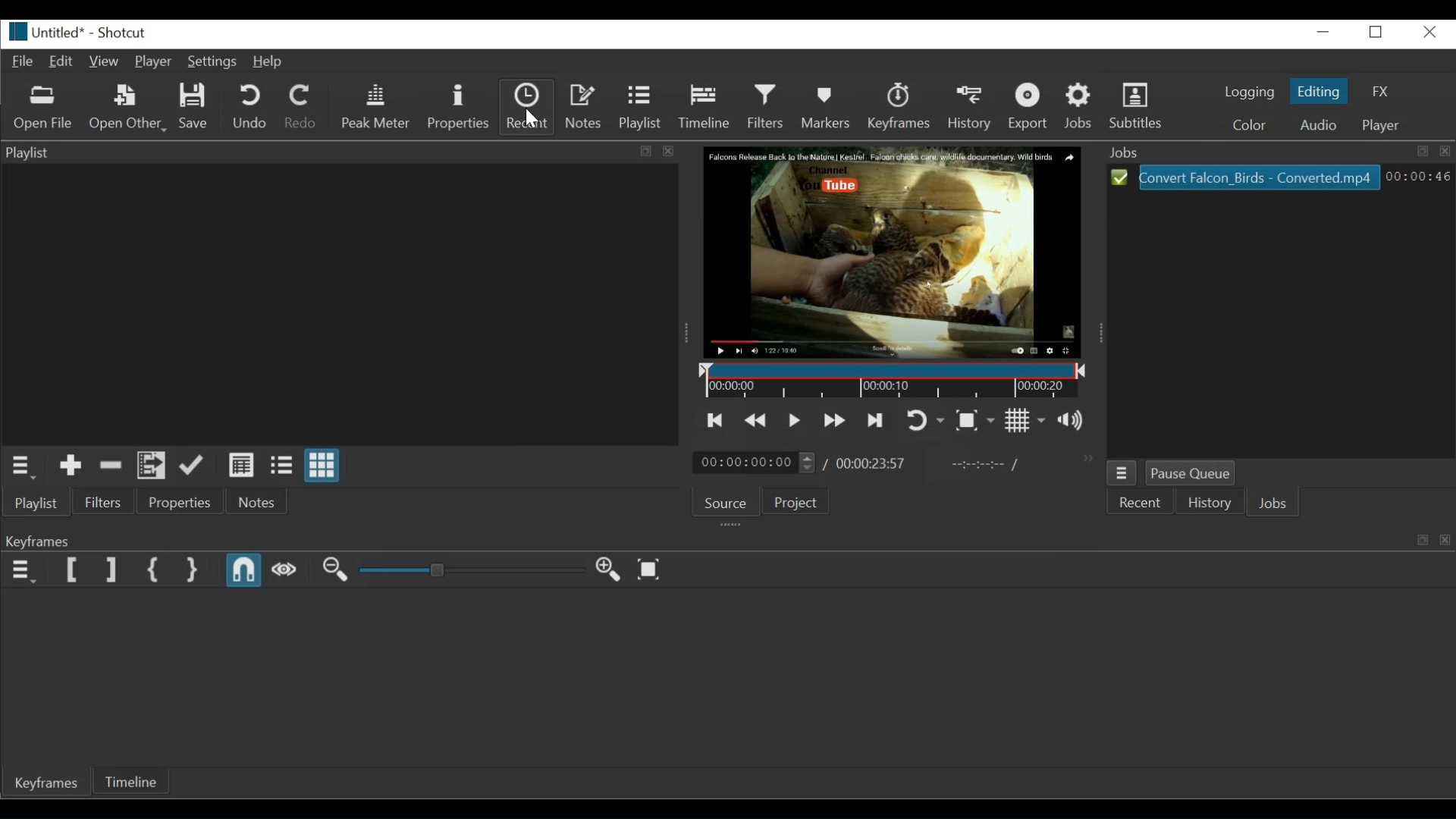 The width and height of the screenshot is (1456, 819). I want to click on logging, so click(1253, 93).